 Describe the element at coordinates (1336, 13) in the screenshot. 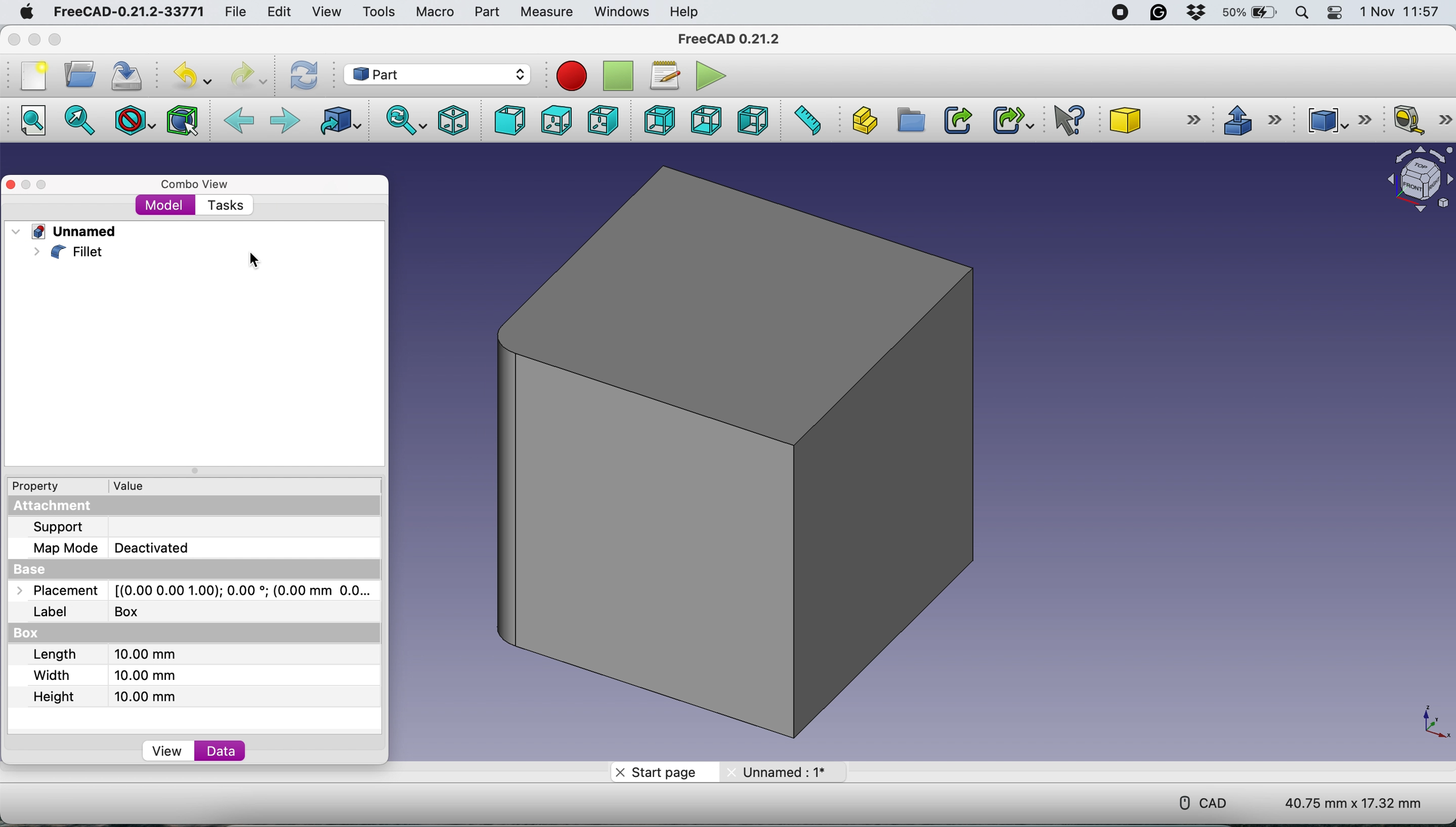

I see `control center` at that location.